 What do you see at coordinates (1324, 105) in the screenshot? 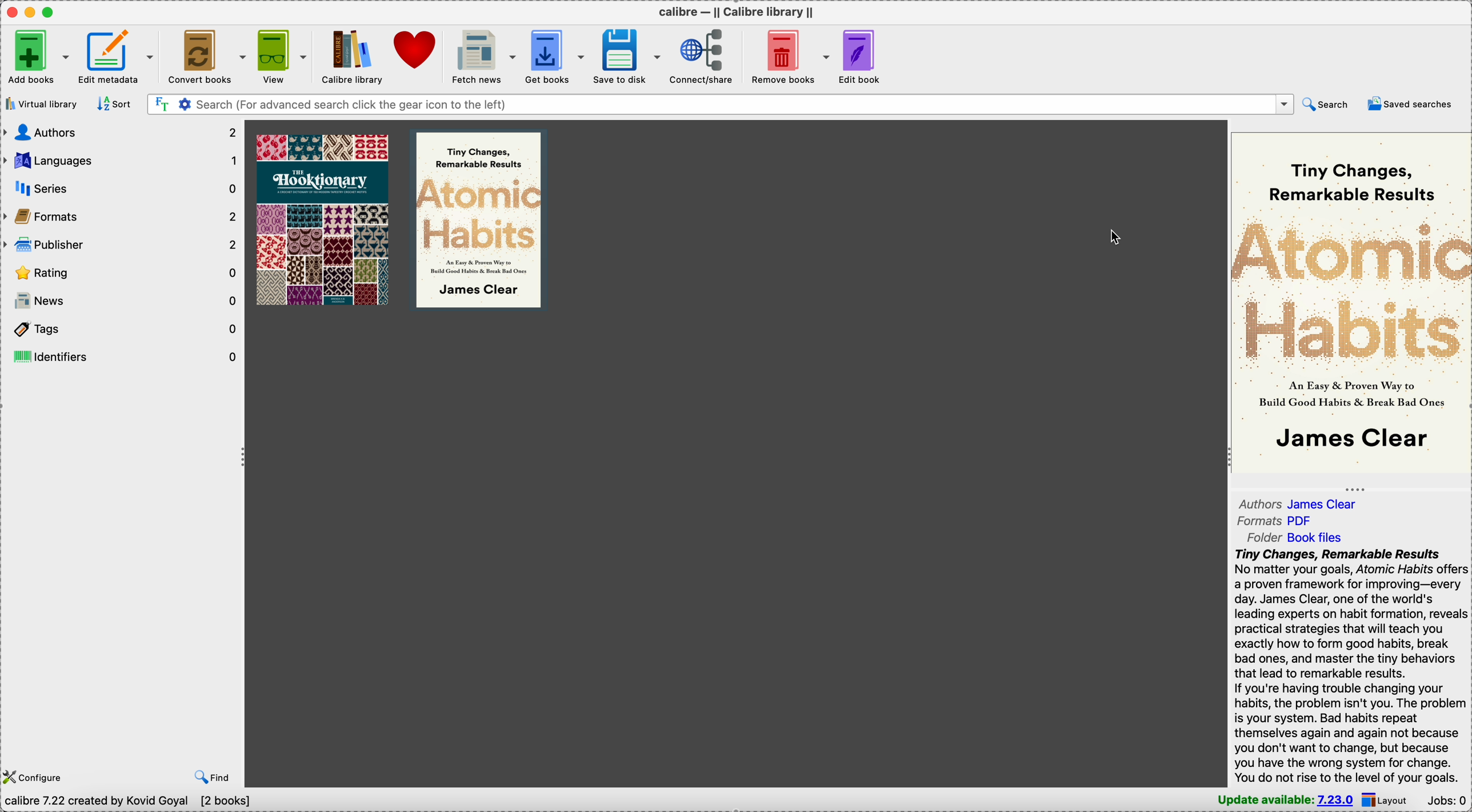
I see `search` at bounding box center [1324, 105].